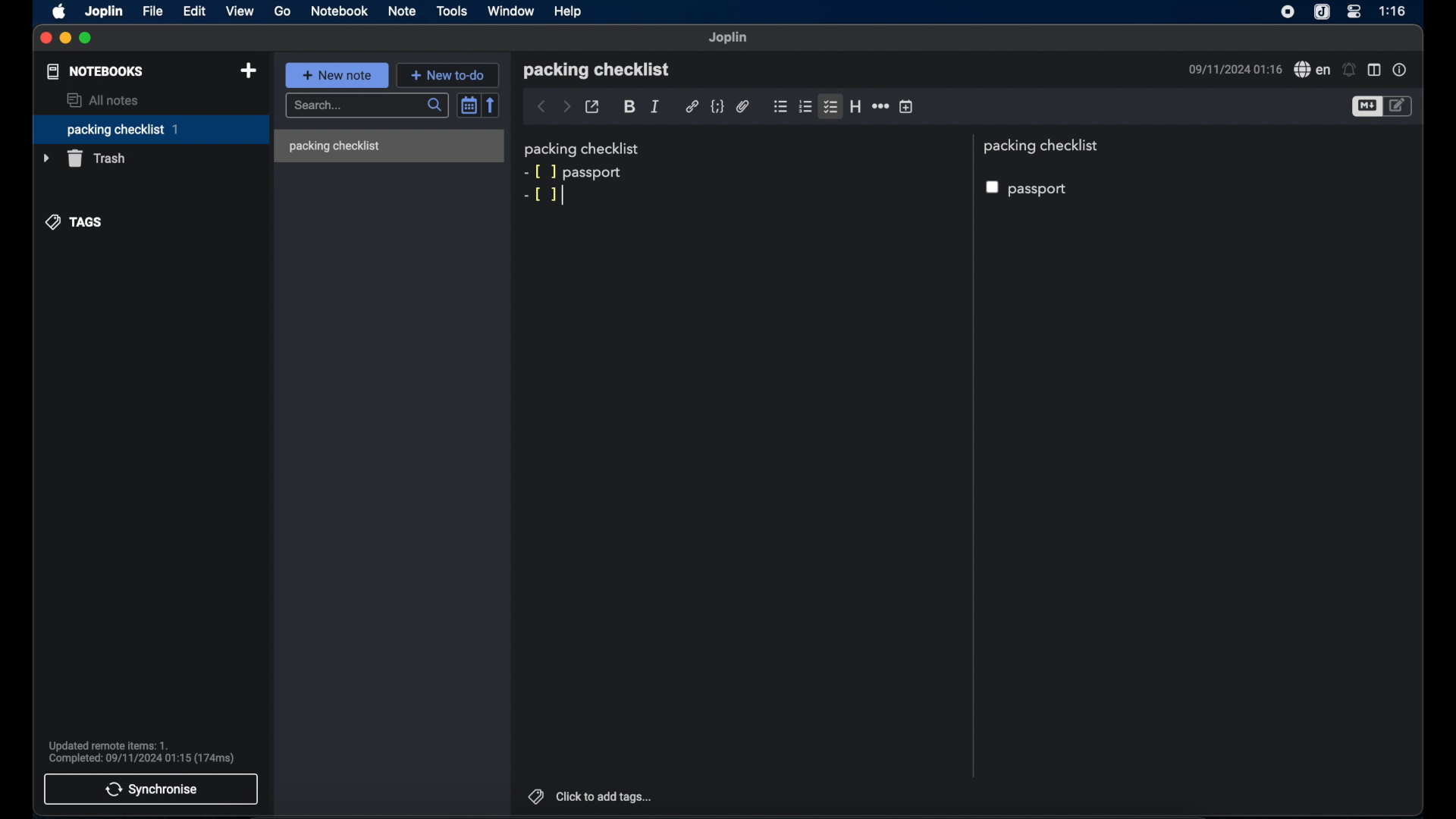 This screenshot has width=1456, height=819. What do you see at coordinates (45, 38) in the screenshot?
I see `close` at bounding box center [45, 38].